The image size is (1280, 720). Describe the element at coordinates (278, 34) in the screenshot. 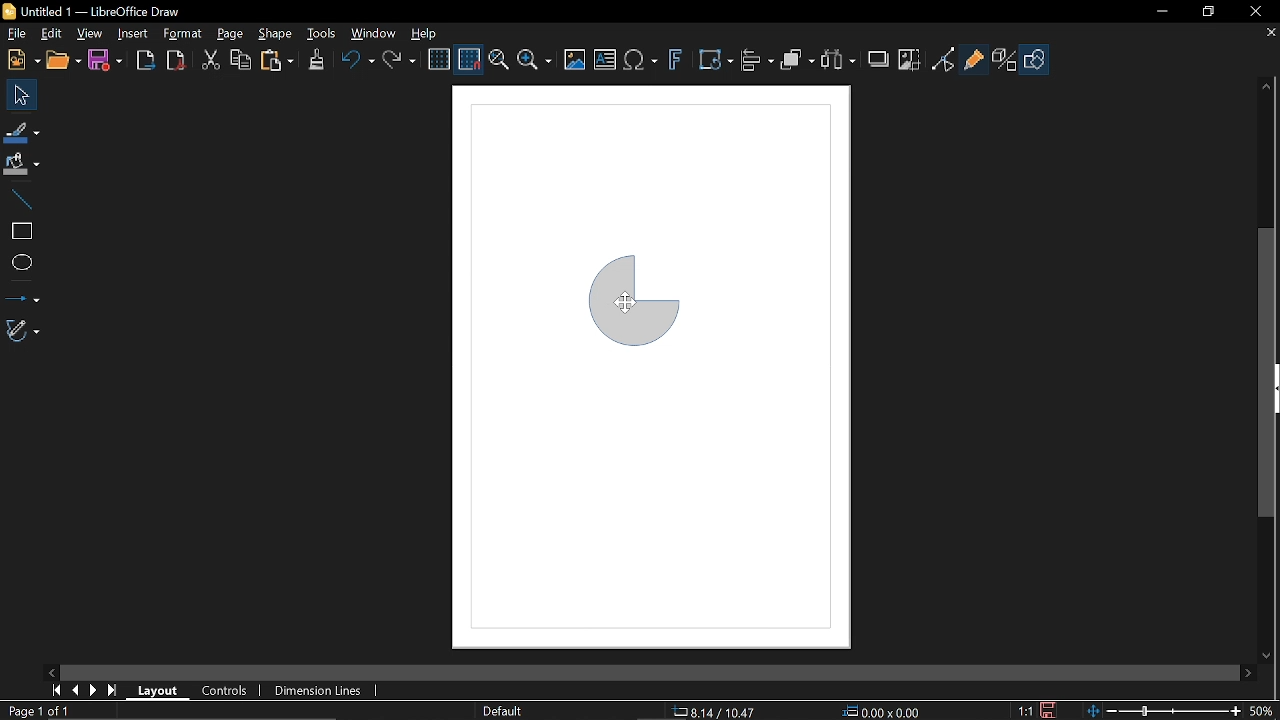

I see `Shape` at that location.